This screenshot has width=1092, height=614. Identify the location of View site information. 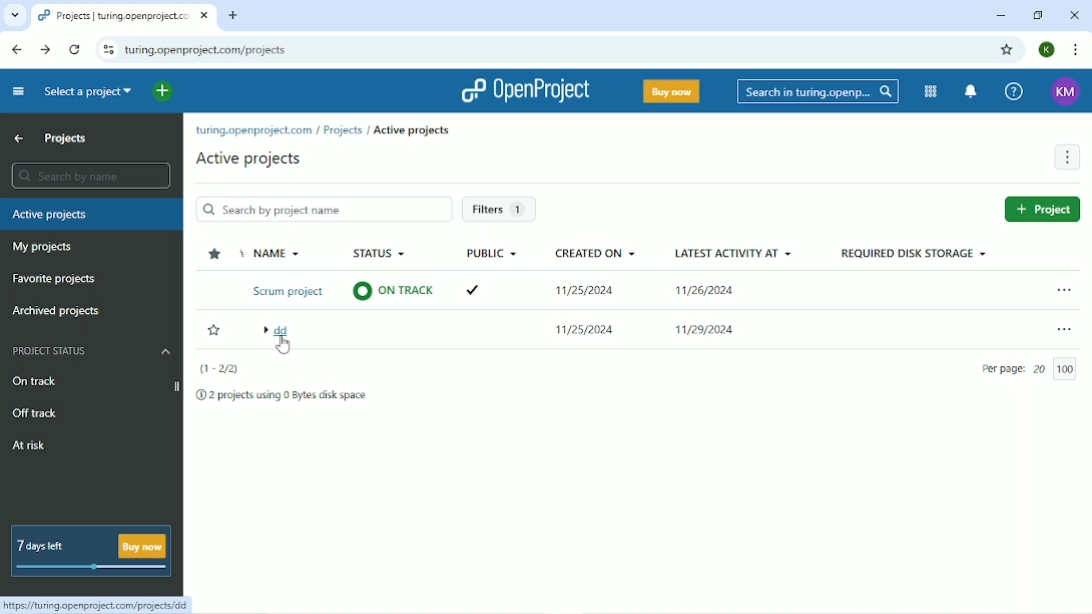
(106, 50).